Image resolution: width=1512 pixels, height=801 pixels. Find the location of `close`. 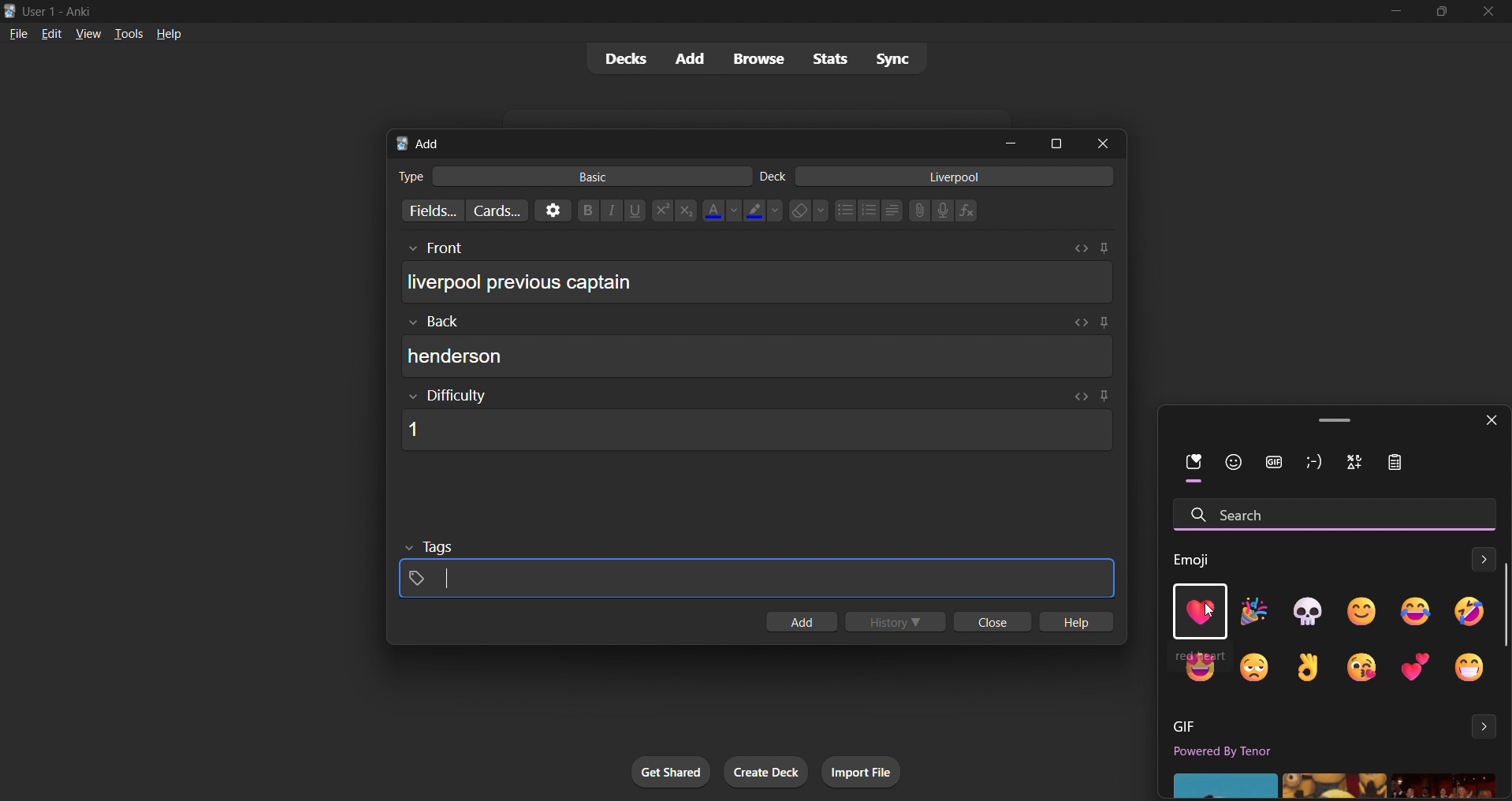

close is located at coordinates (1492, 420).